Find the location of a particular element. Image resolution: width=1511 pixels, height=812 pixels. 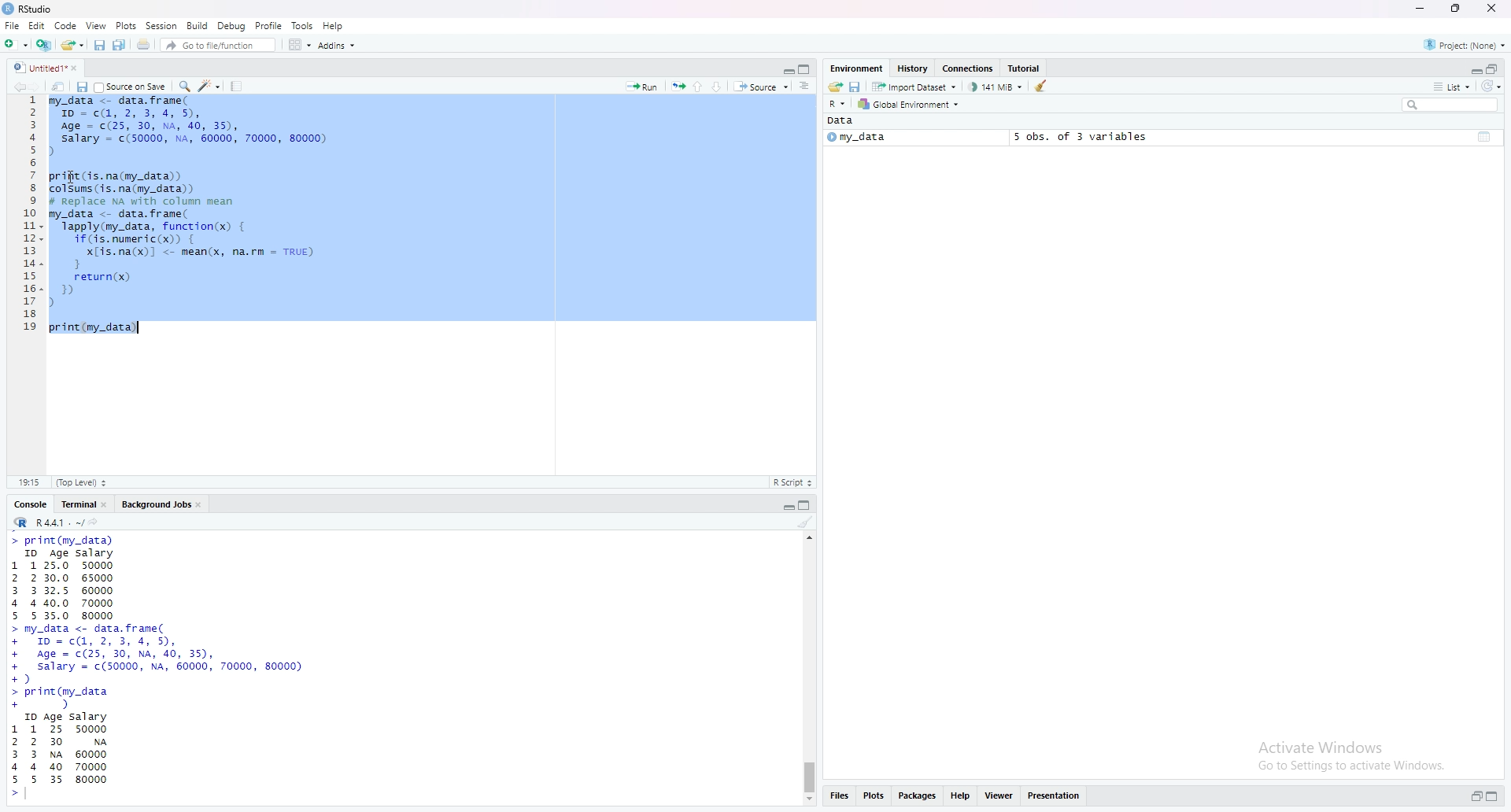

compile reports is located at coordinates (238, 86).